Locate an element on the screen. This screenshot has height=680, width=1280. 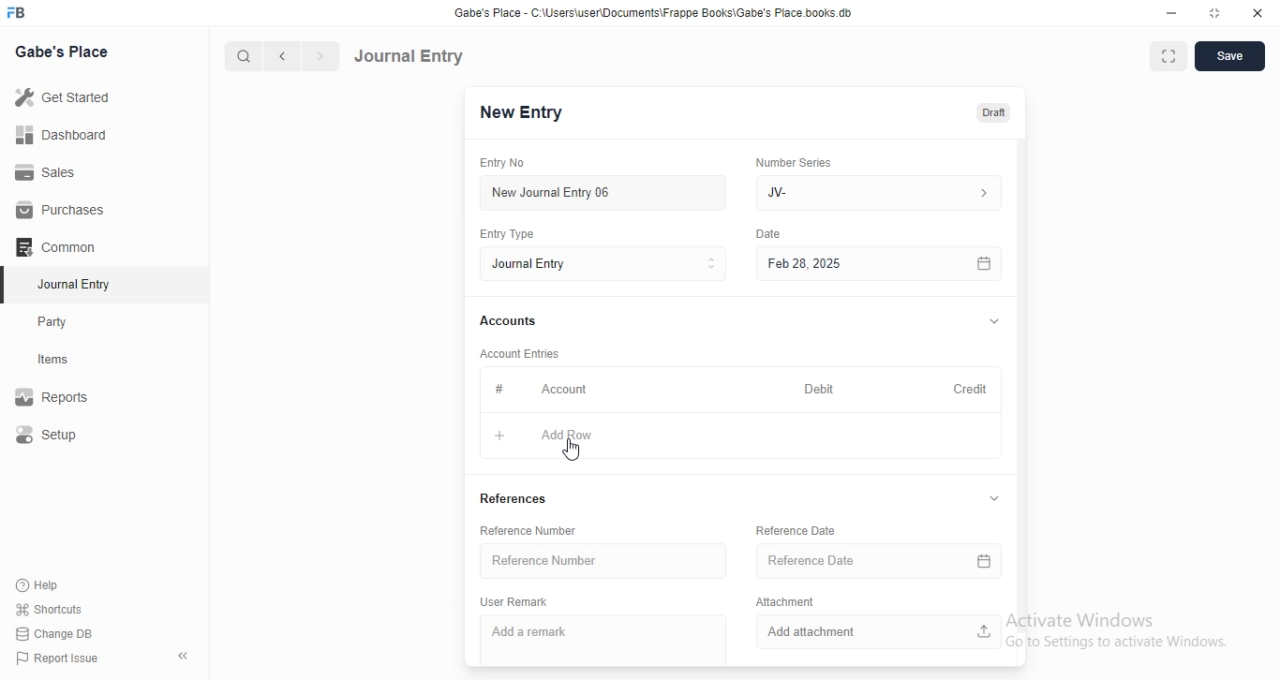
Reference Number is located at coordinates (602, 560).